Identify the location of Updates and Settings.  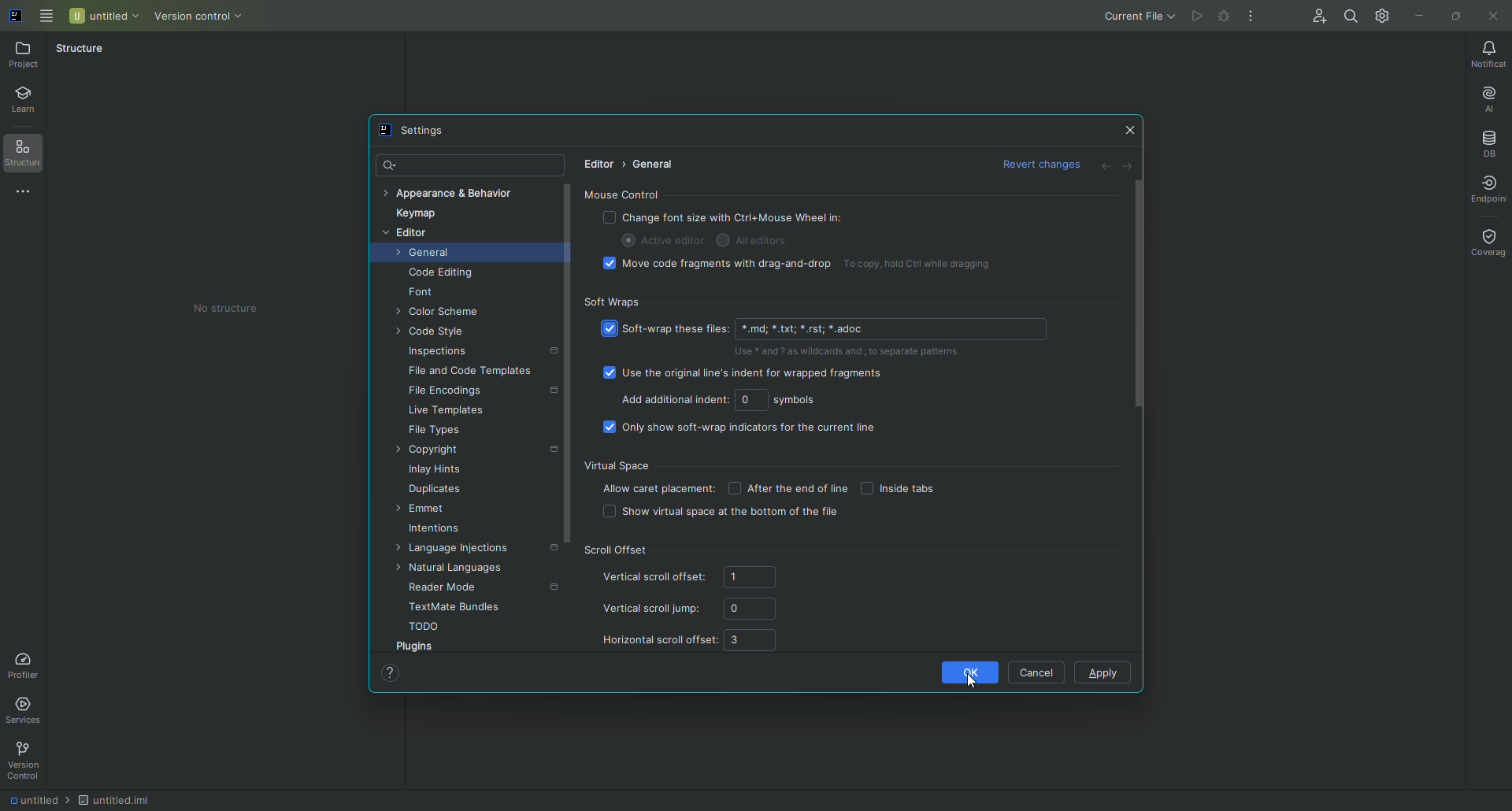
(1385, 20).